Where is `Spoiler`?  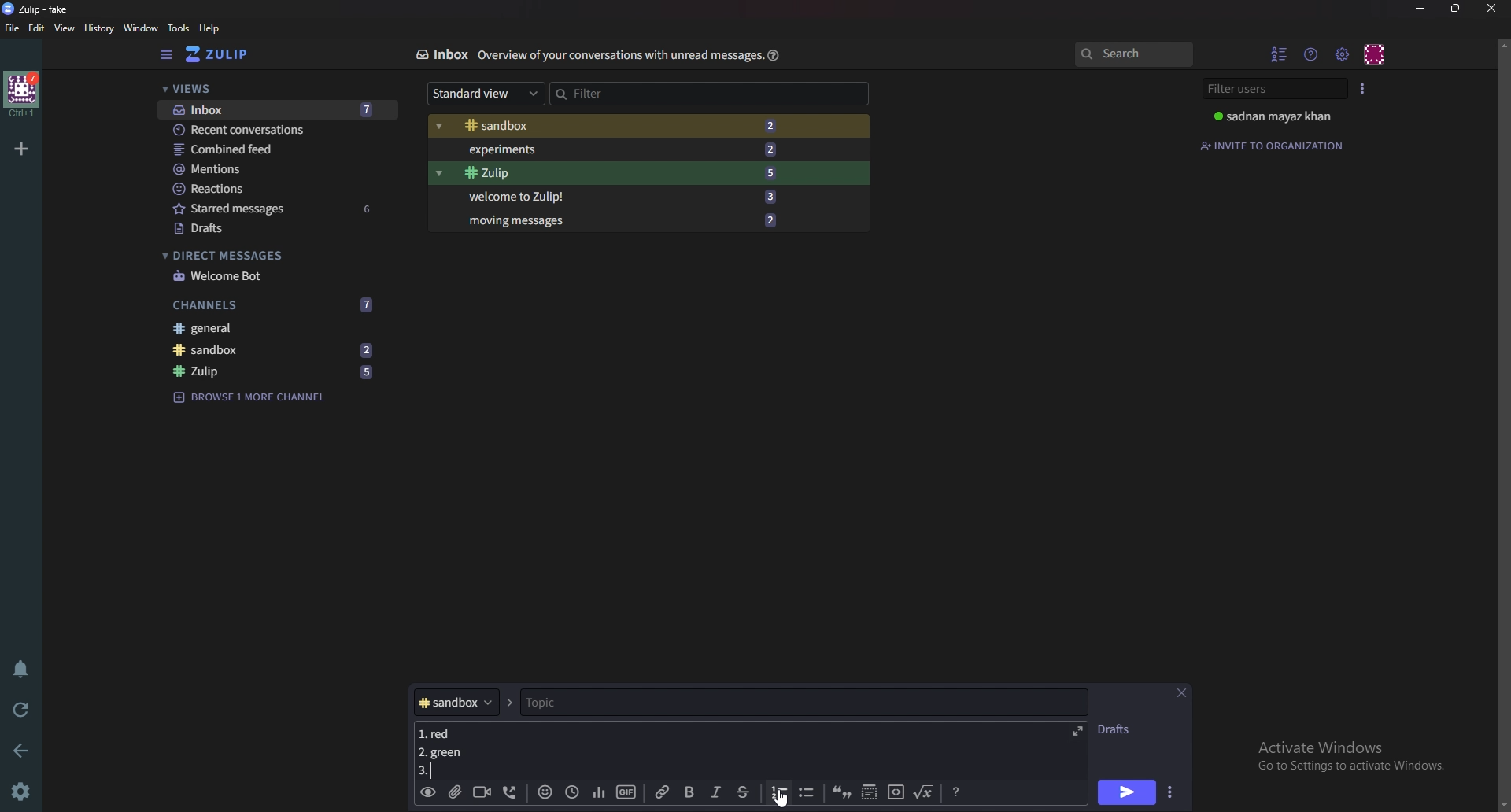
Spoiler is located at coordinates (867, 794).